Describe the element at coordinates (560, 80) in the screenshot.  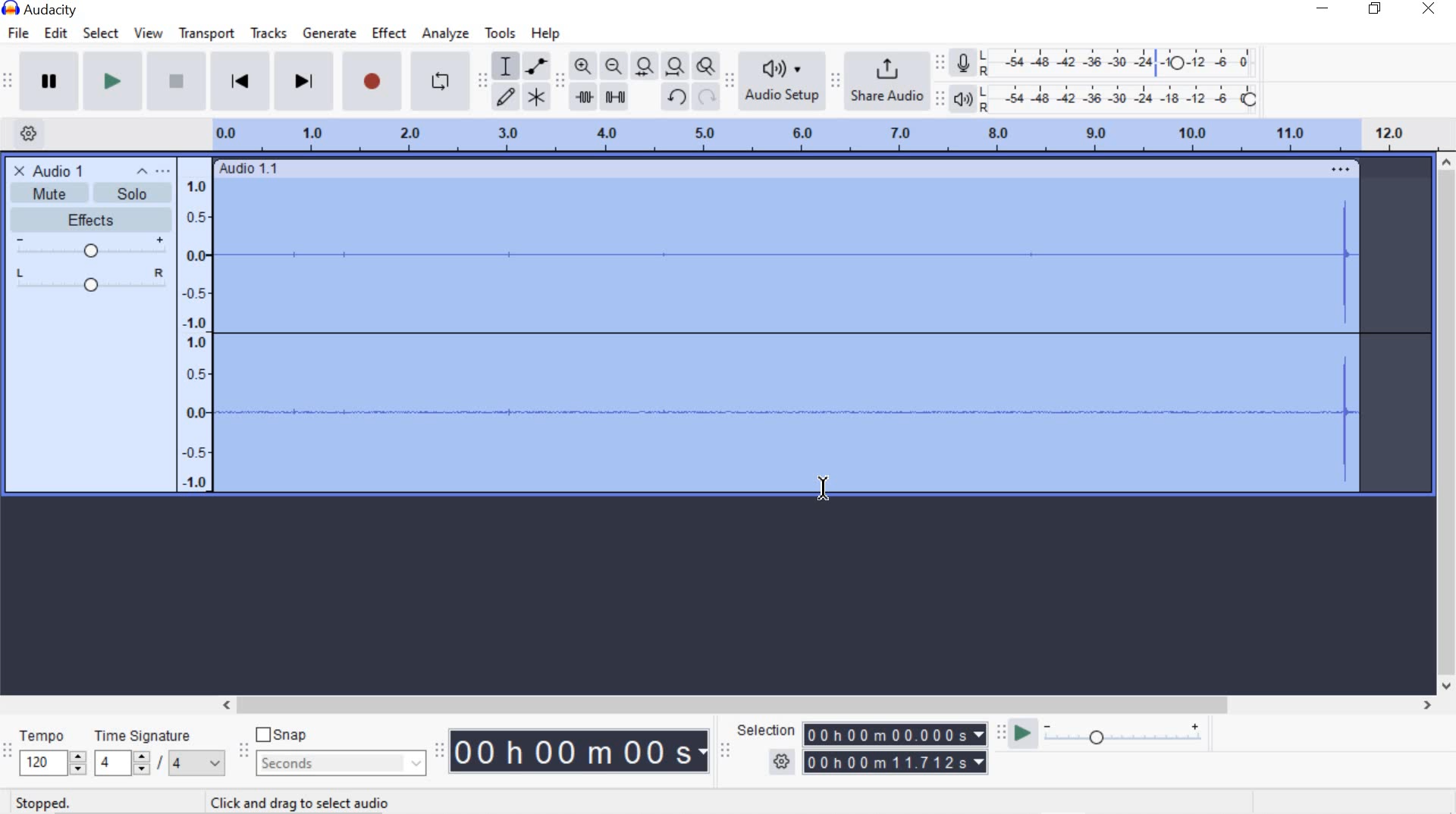
I see `Edit Toolbar` at that location.